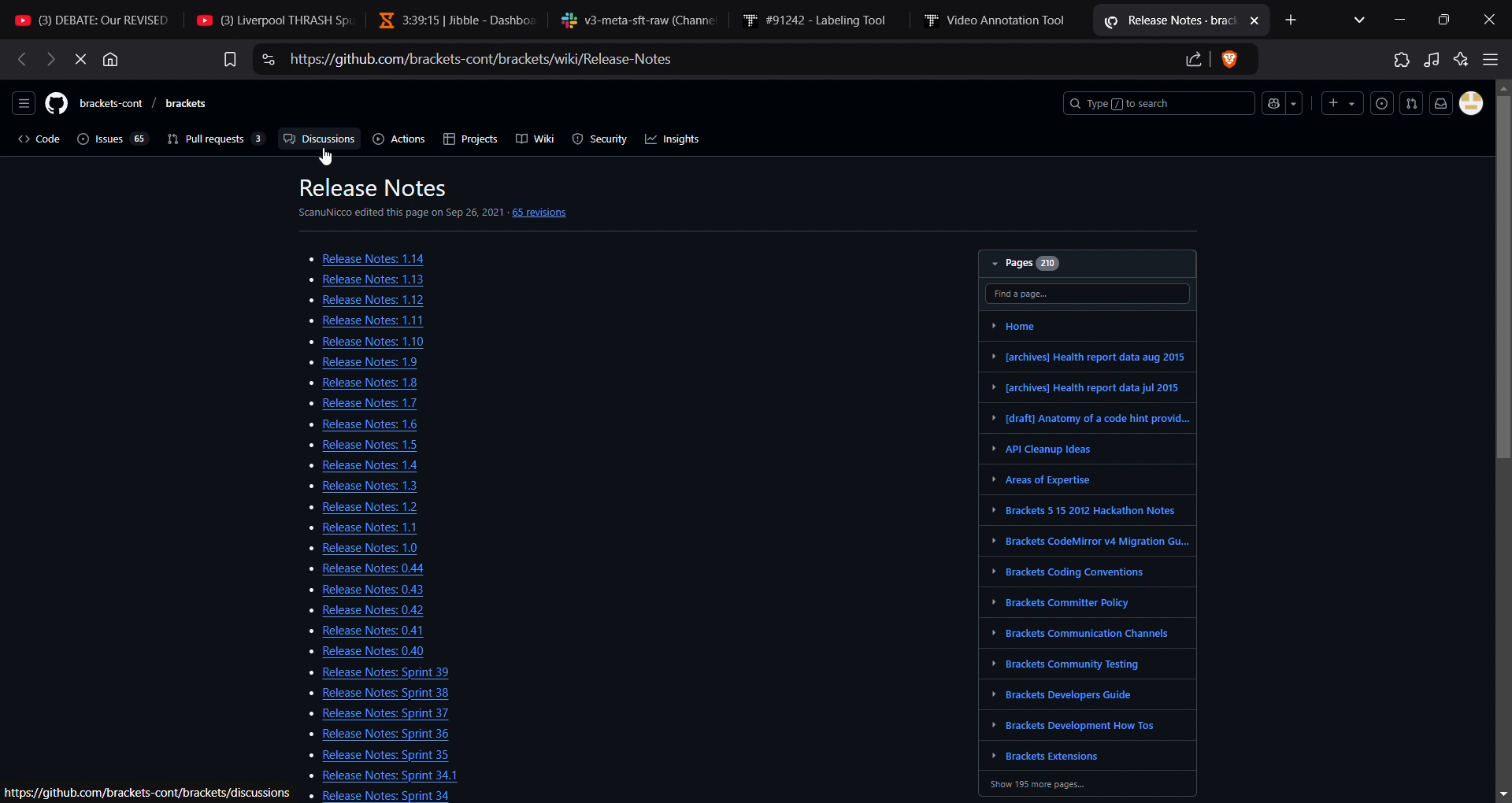 Image resolution: width=1512 pixels, height=803 pixels. I want to click on profile, so click(1470, 102).